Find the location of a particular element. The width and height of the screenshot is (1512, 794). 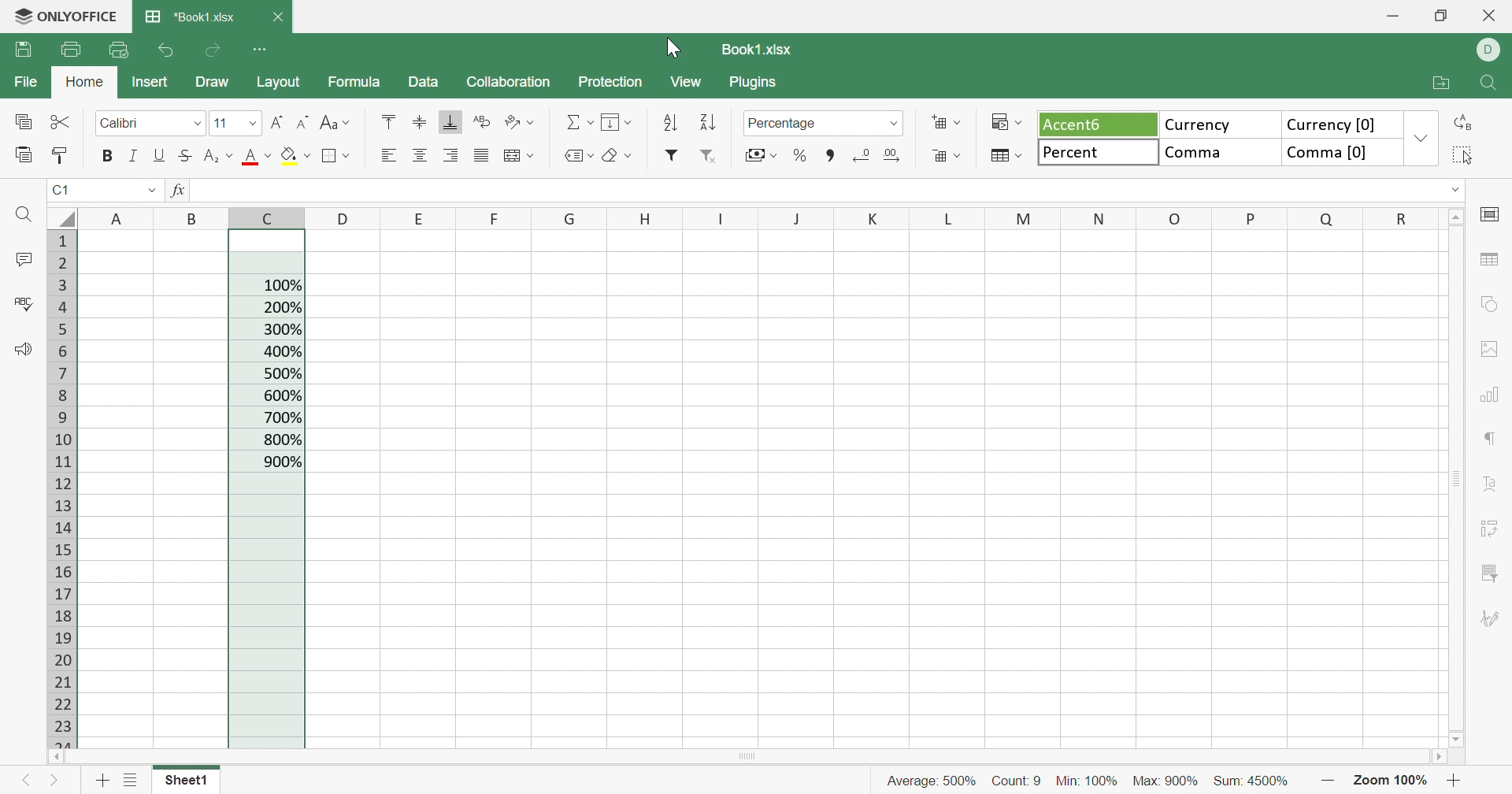

300% is located at coordinates (280, 329).